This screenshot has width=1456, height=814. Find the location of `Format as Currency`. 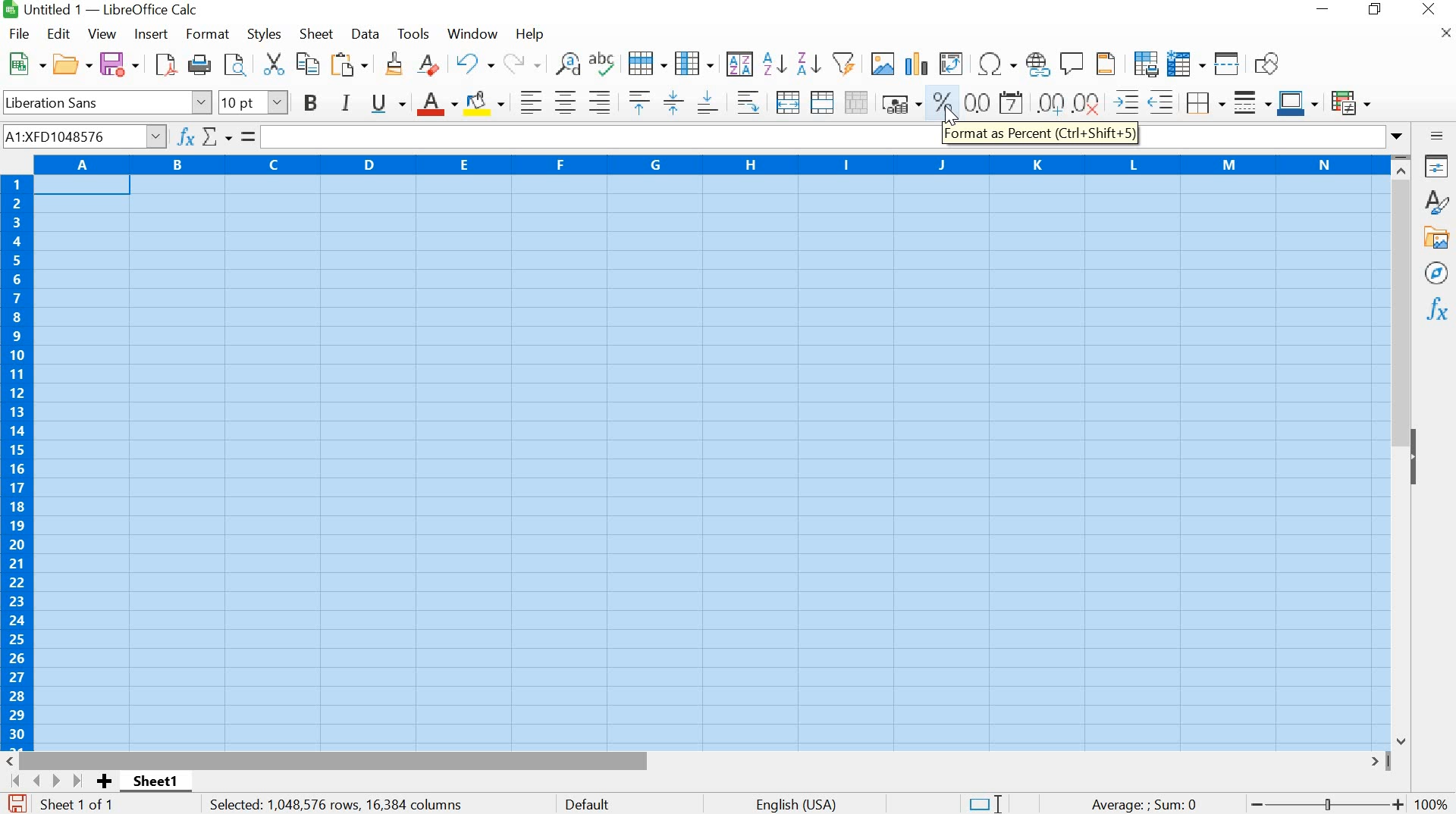

Format as Currency is located at coordinates (899, 103).